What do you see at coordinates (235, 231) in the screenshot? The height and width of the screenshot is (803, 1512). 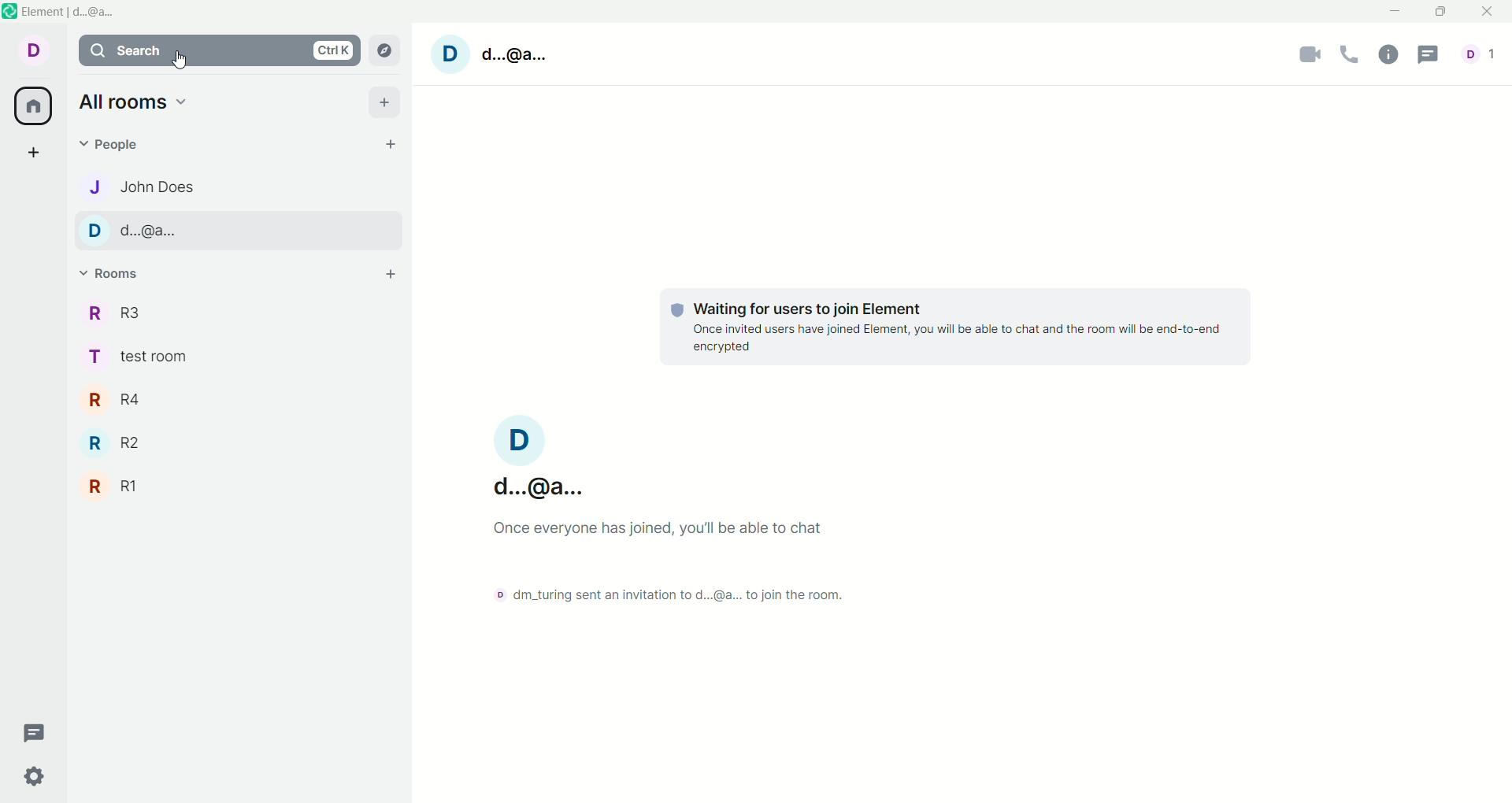 I see `D, person 2` at bounding box center [235, 231].